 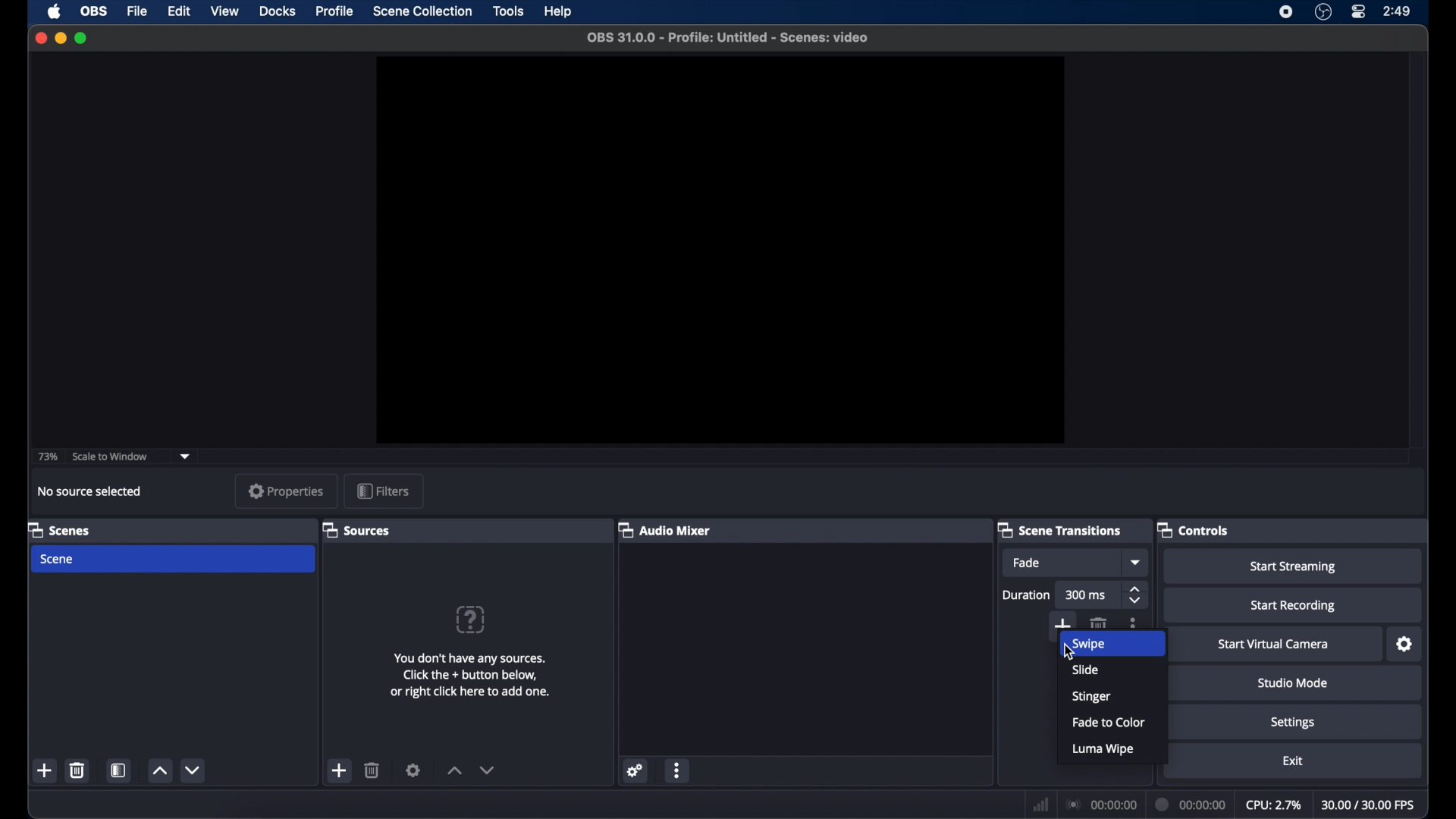 I want to click on maximize, so click(x=82, y=39).